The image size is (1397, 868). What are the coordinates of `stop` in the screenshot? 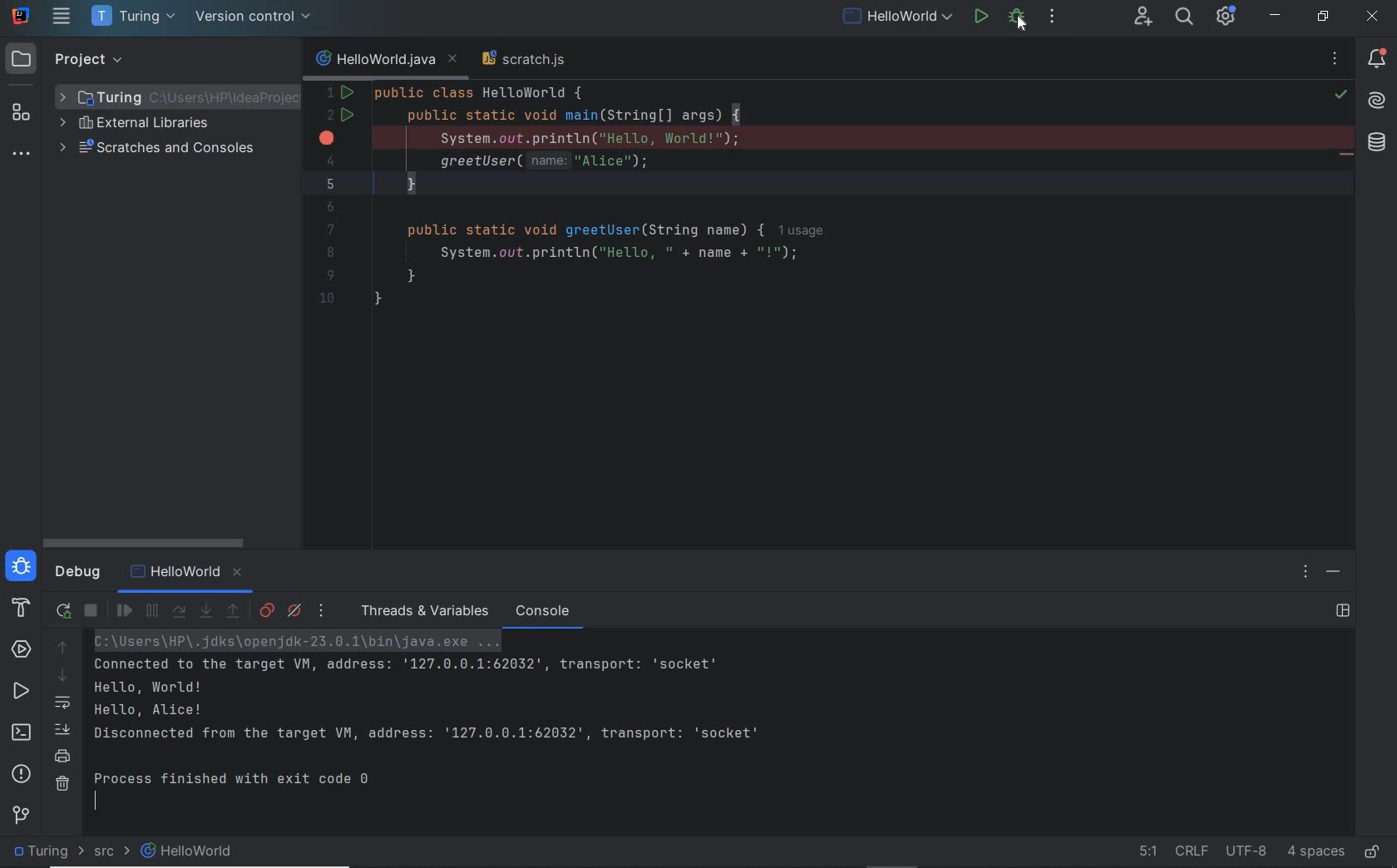 It's located at (1054, 18).